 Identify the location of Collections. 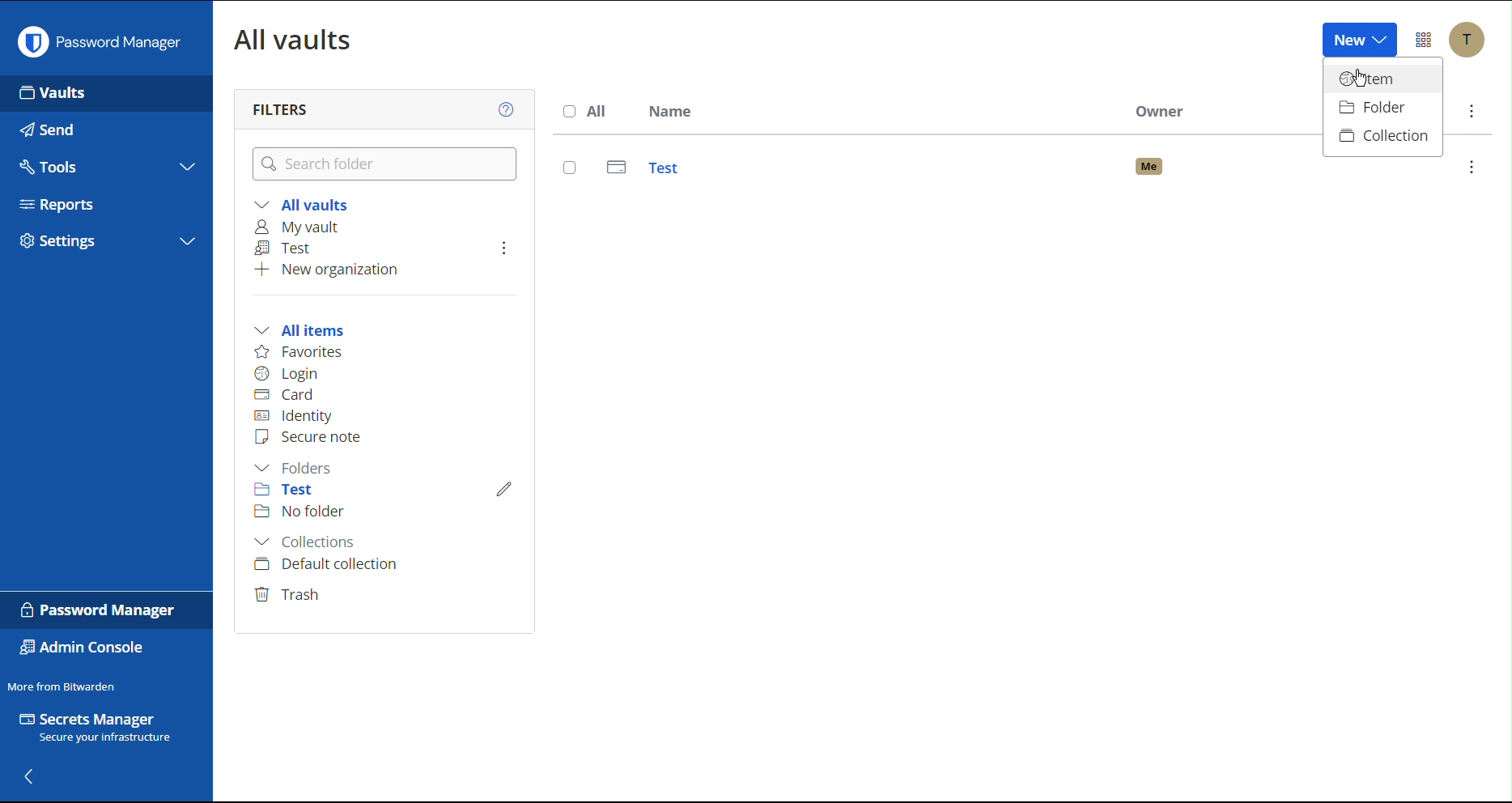
(312, 544).